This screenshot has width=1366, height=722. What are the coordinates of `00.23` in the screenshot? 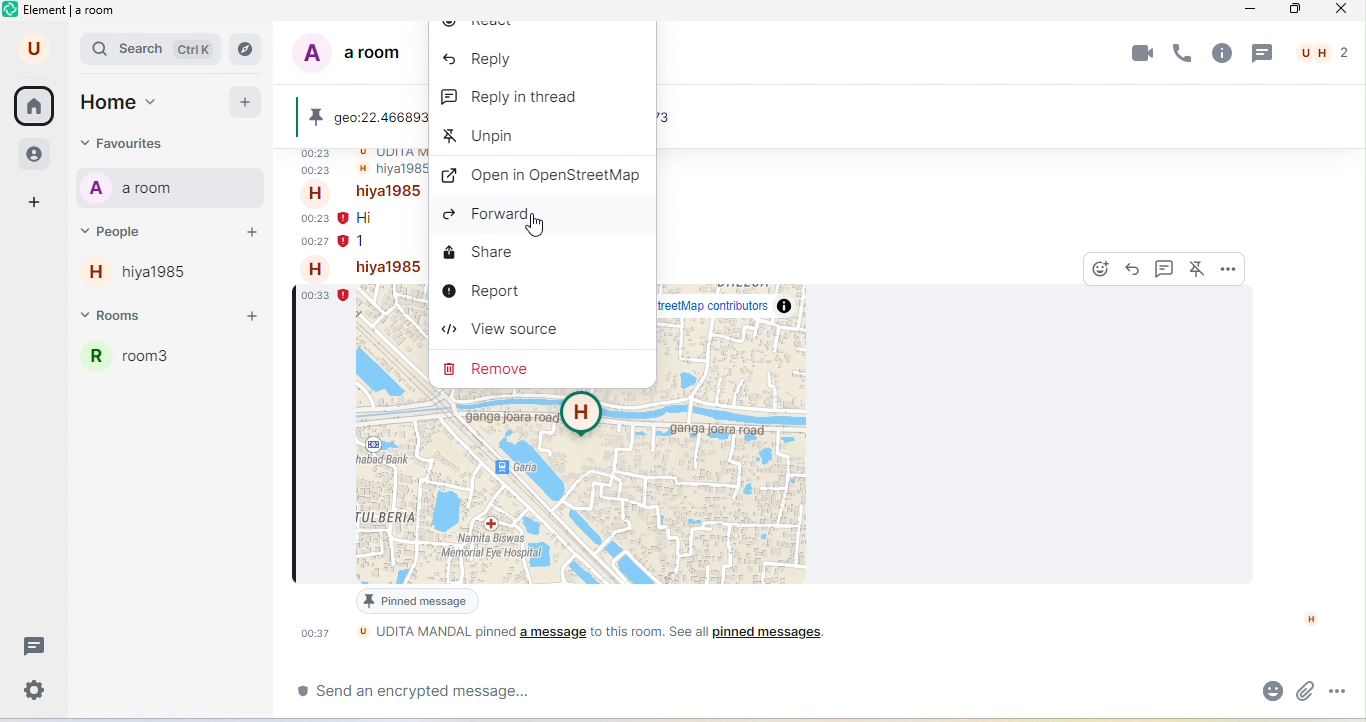 It's located at (319, 155).